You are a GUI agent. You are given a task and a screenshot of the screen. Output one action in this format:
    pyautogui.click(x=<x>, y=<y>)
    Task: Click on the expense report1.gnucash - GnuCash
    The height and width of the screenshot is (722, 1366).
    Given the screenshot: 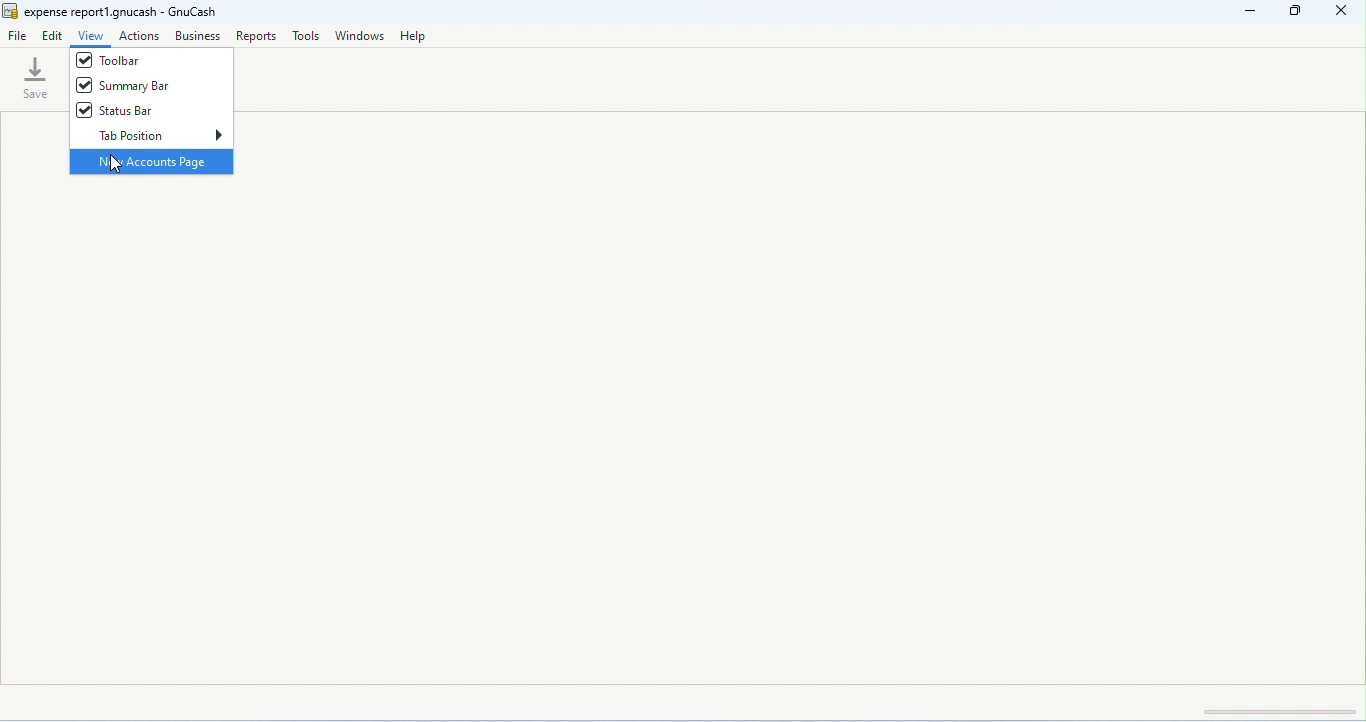 What is the action you would take?
    pyautogui.click(x=126, y=11)
    